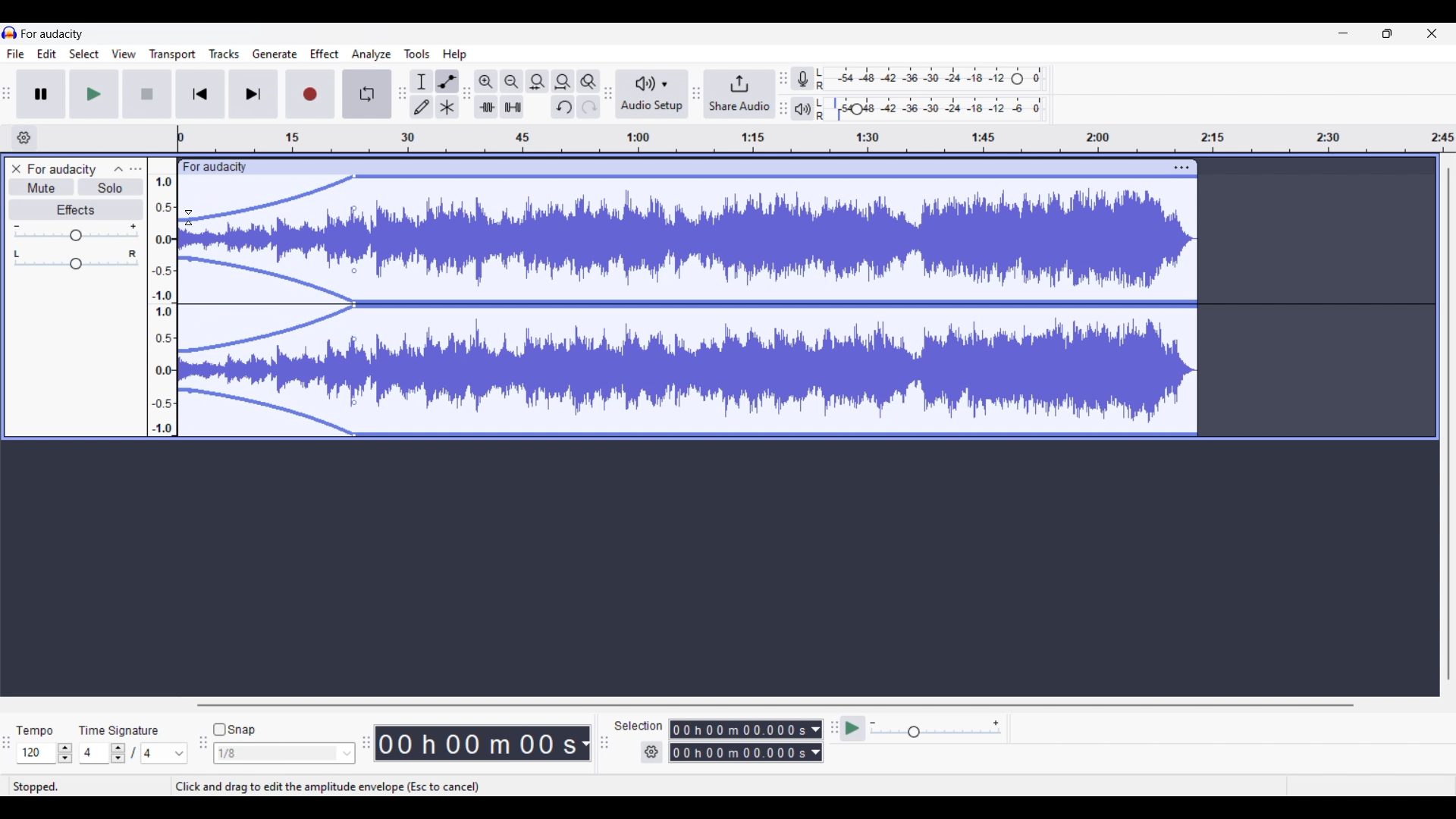 The width and height of the screenshot is (1456, 819). Describe the element at coordinates (486, 107) in the screenshot. I see `trim audio outside selection` at that location.